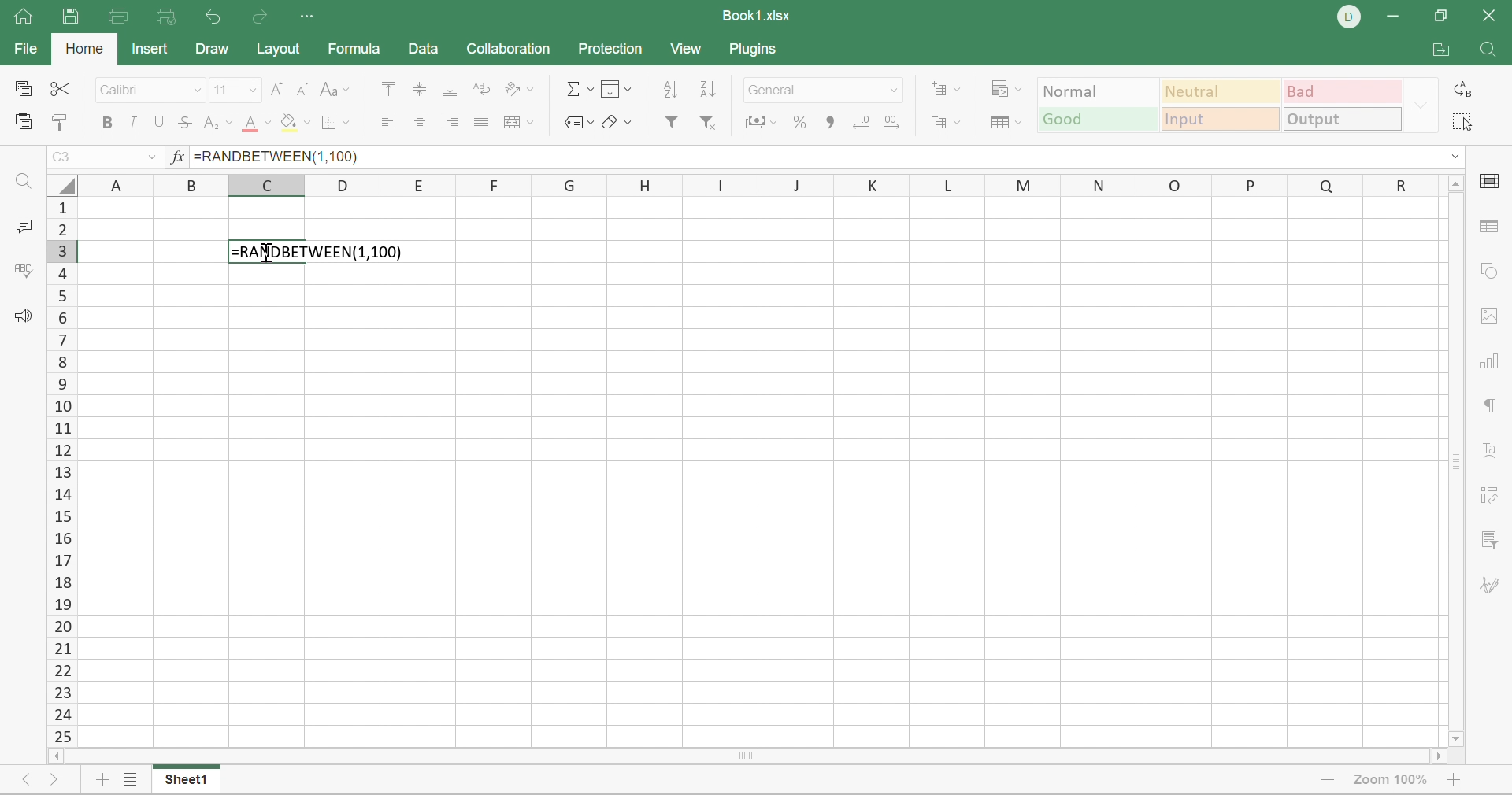  Describe the element at coordinates (426, 51) in the screenshot. I see `Data` at that location.